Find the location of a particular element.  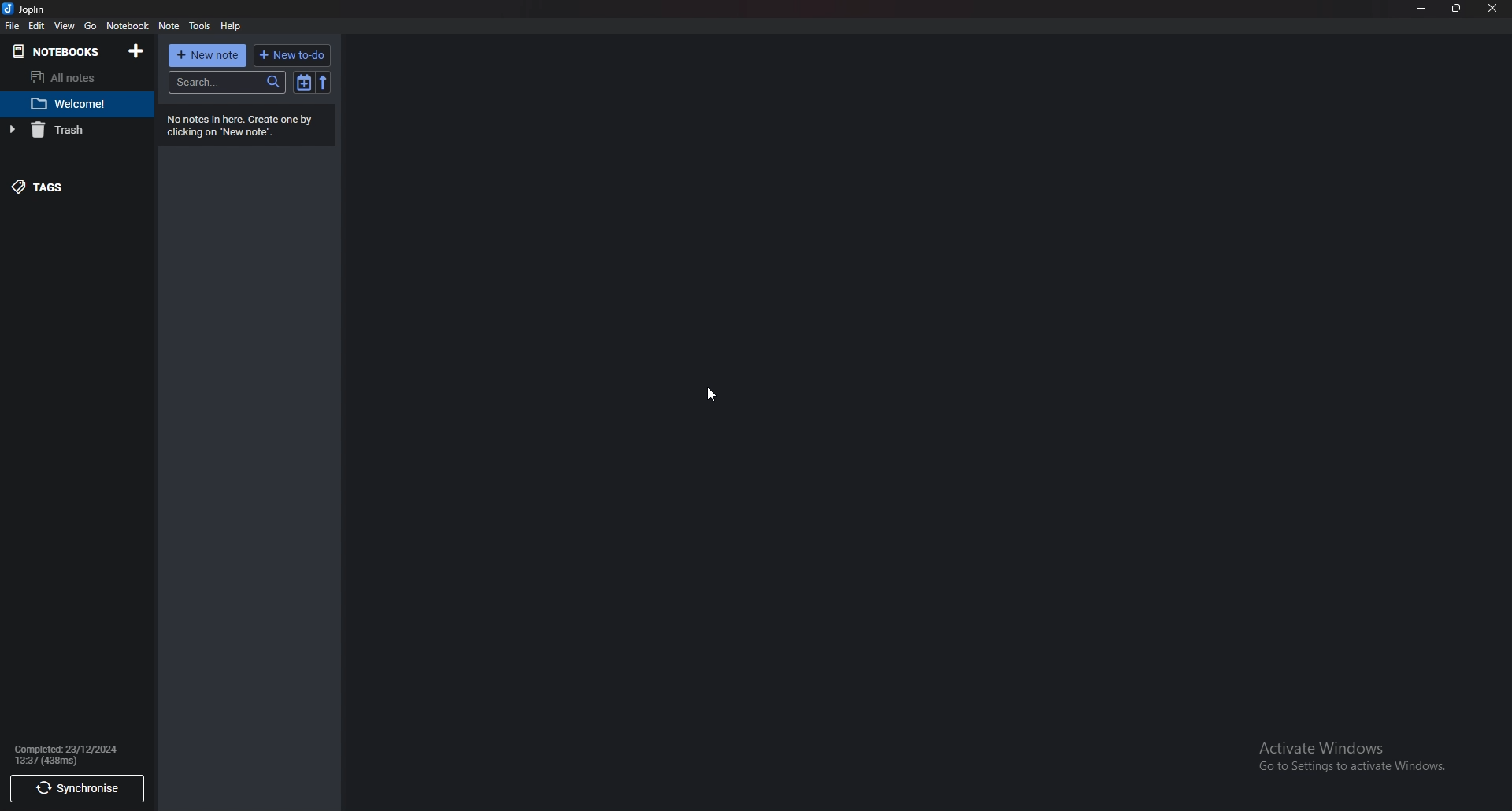

tags is located at coordinates (68, 187).